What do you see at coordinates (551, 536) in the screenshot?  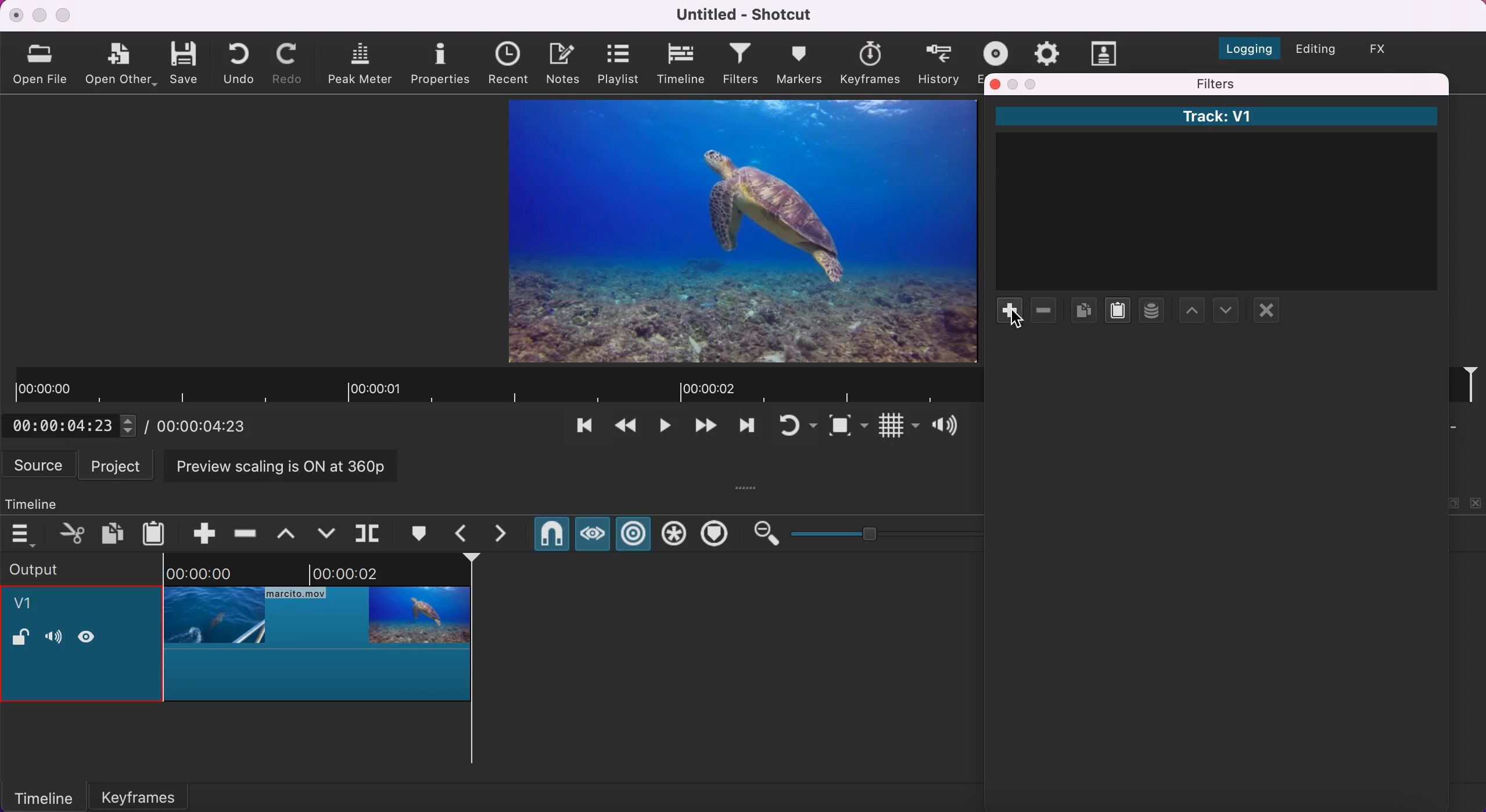 I see `snap` at bounding box center [551, 536].